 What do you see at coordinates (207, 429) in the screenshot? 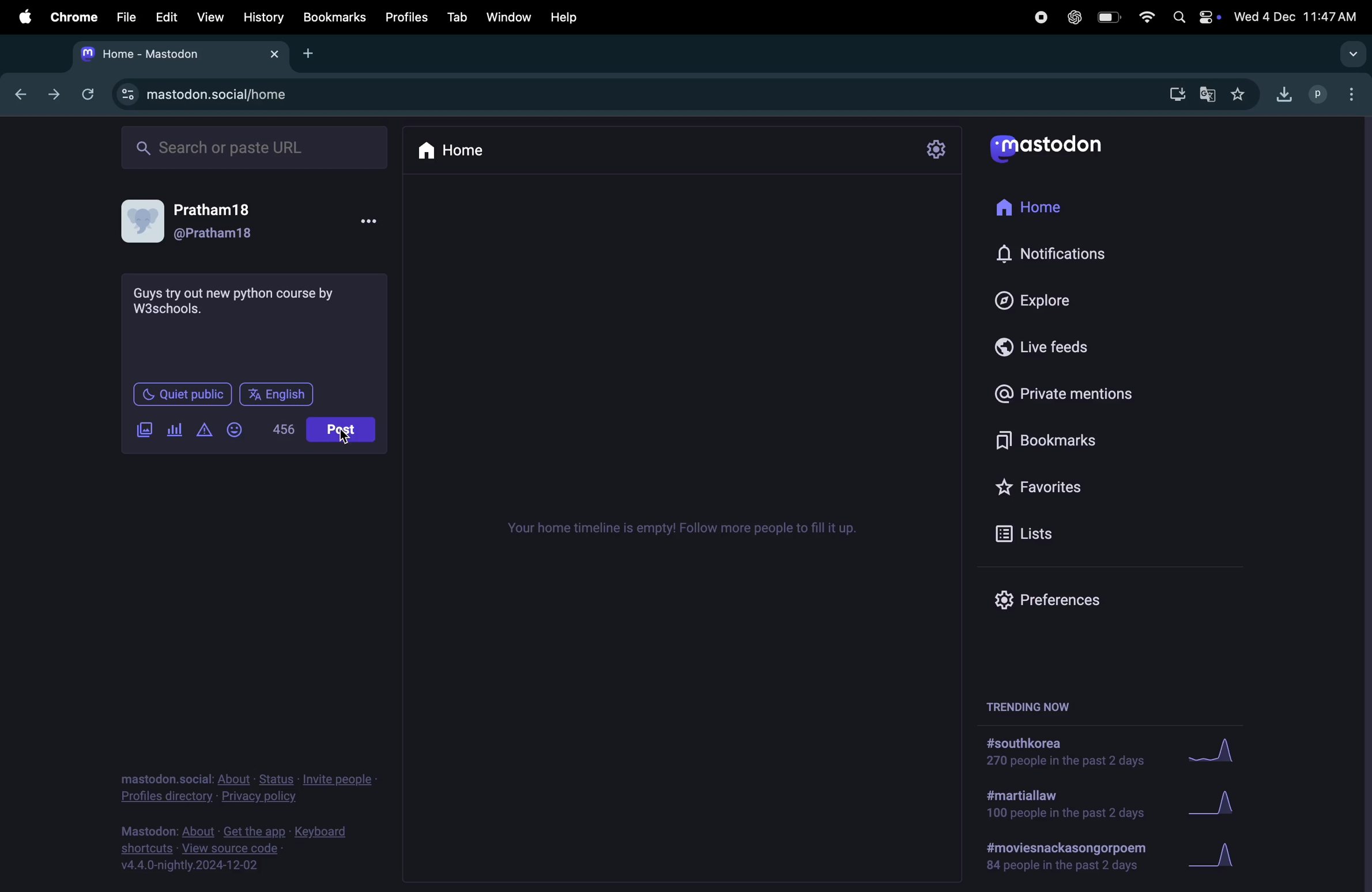
I see `alert` at bounding box center [207, 429].